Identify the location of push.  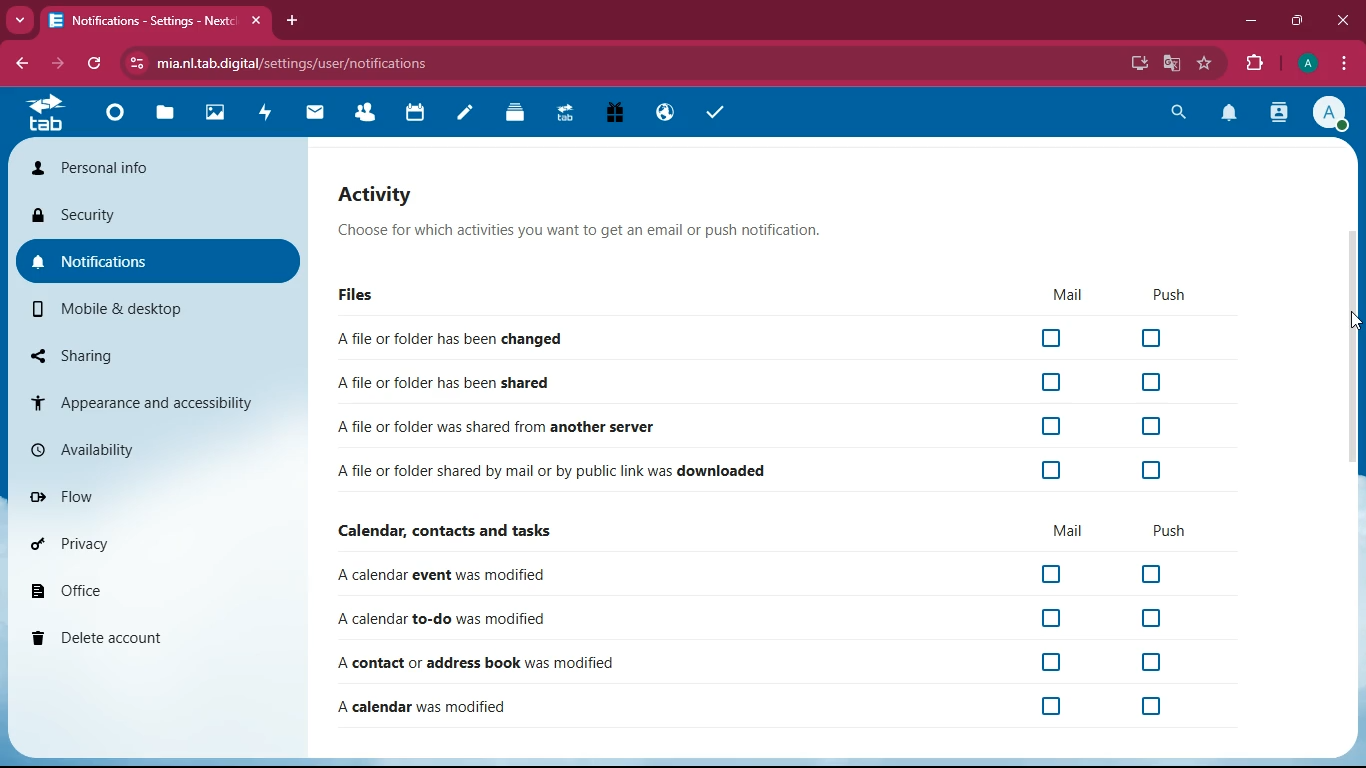
(1172, 532).